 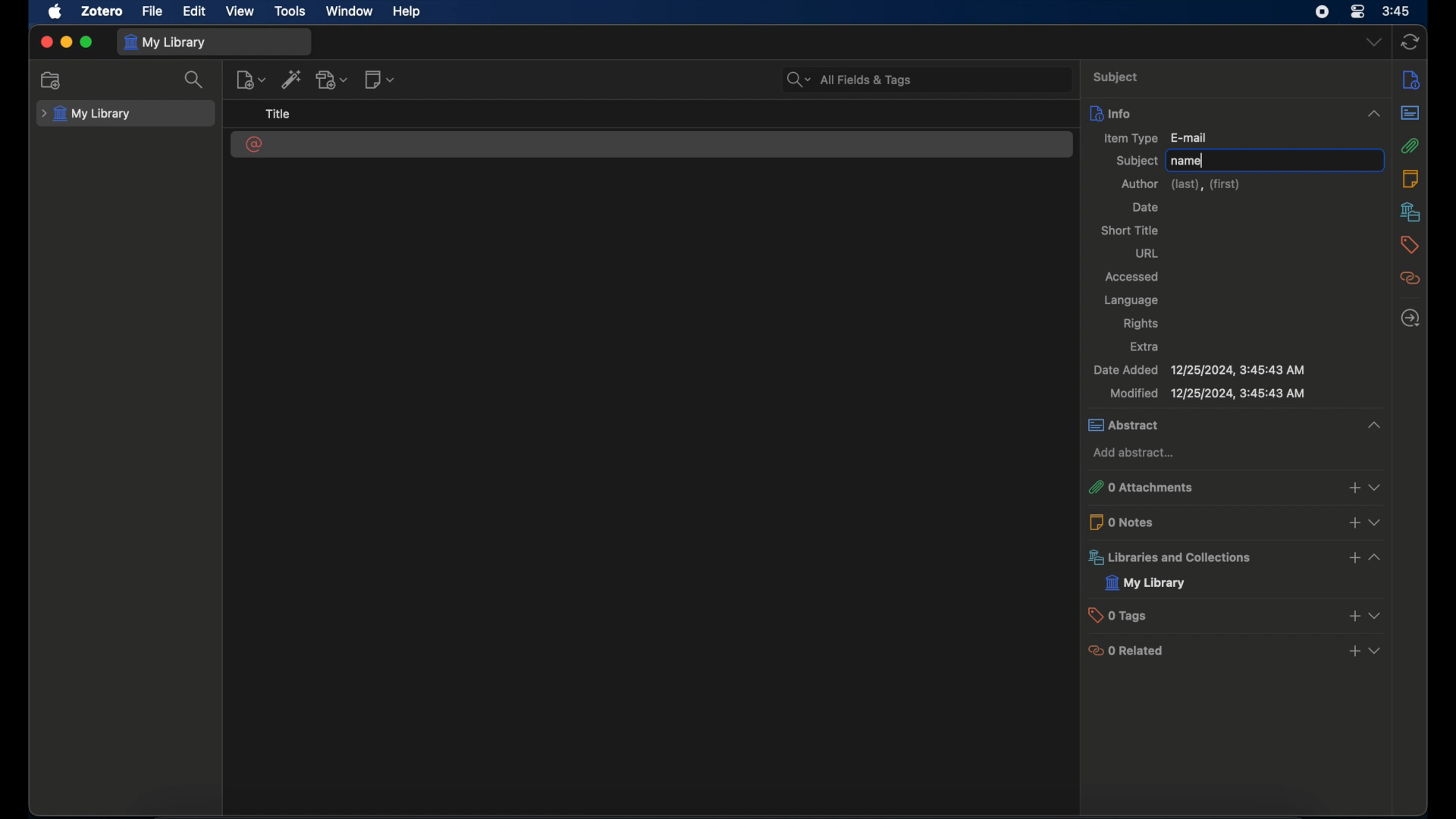 I want to click on abstract, so click(x=1410, y=111).